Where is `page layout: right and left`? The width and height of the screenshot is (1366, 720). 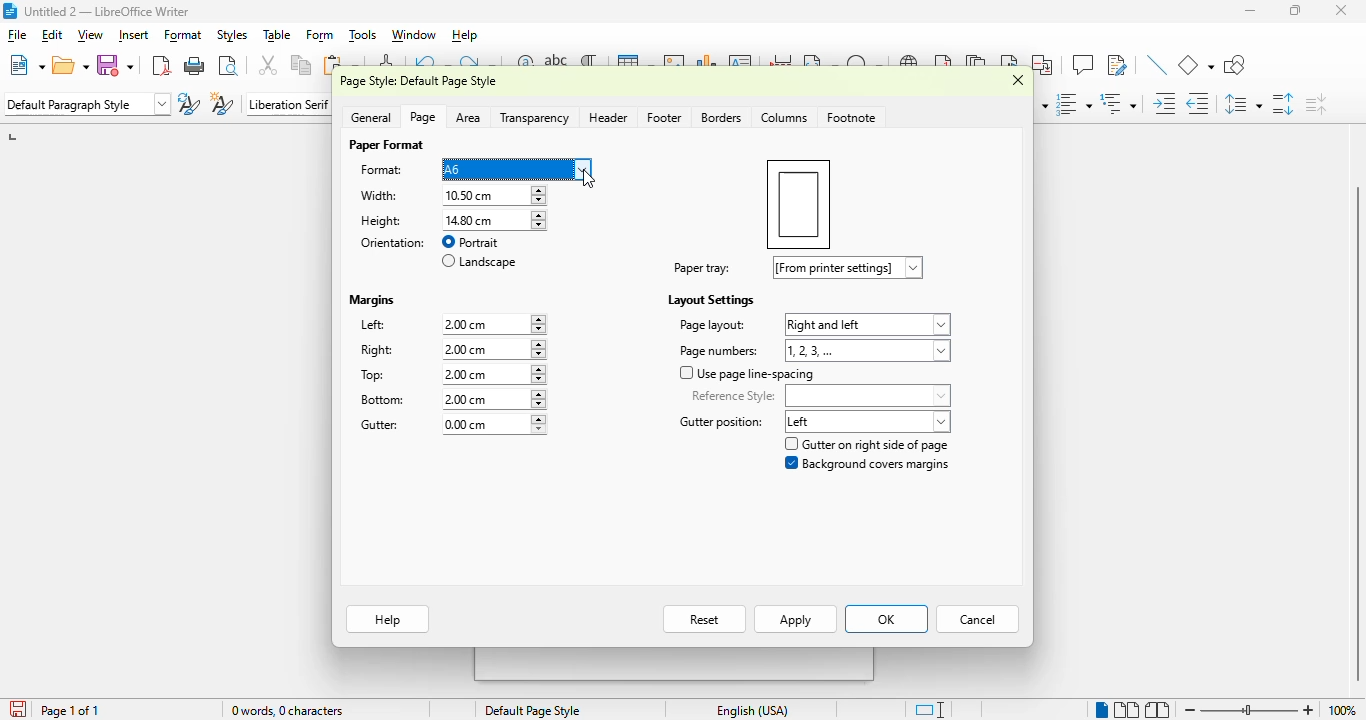 page layout: right and left is located at coordinates (812, 324).